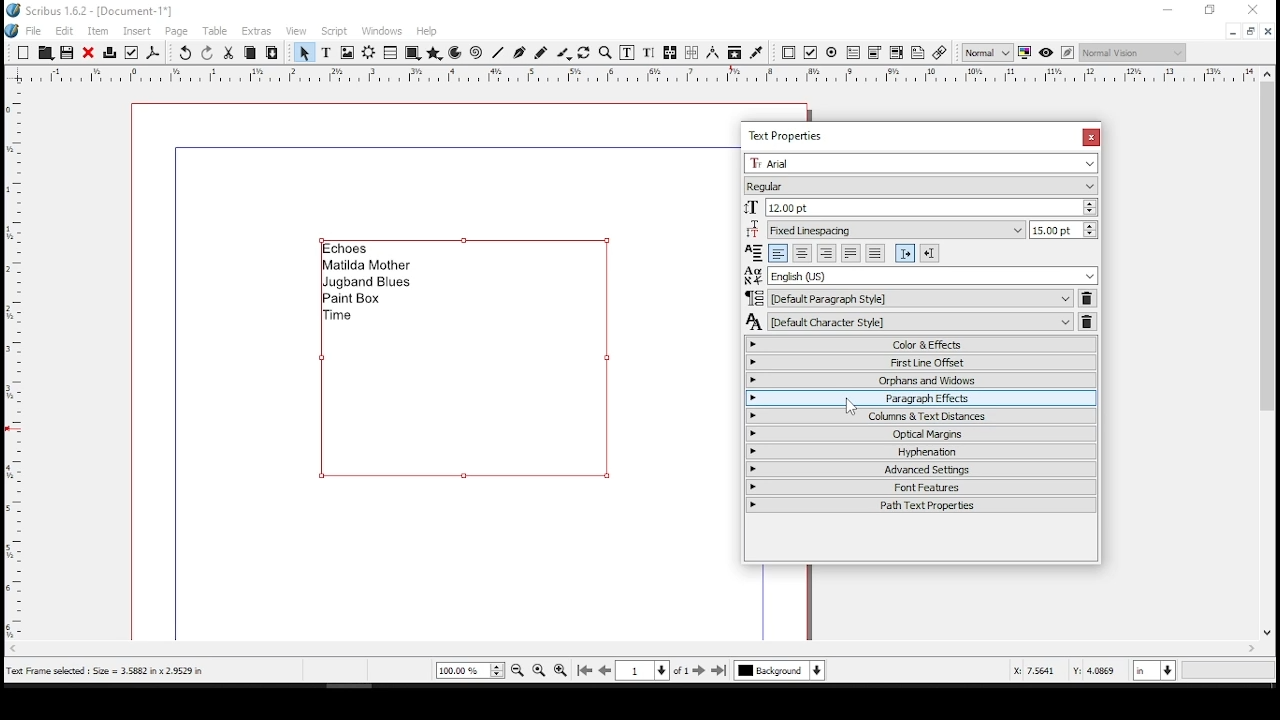 The width and height of the screenshot is (1280, 720). What do you see at coordinates (699, 670) in the screenshot?
I see `next page` at bounding box center [699, 670].